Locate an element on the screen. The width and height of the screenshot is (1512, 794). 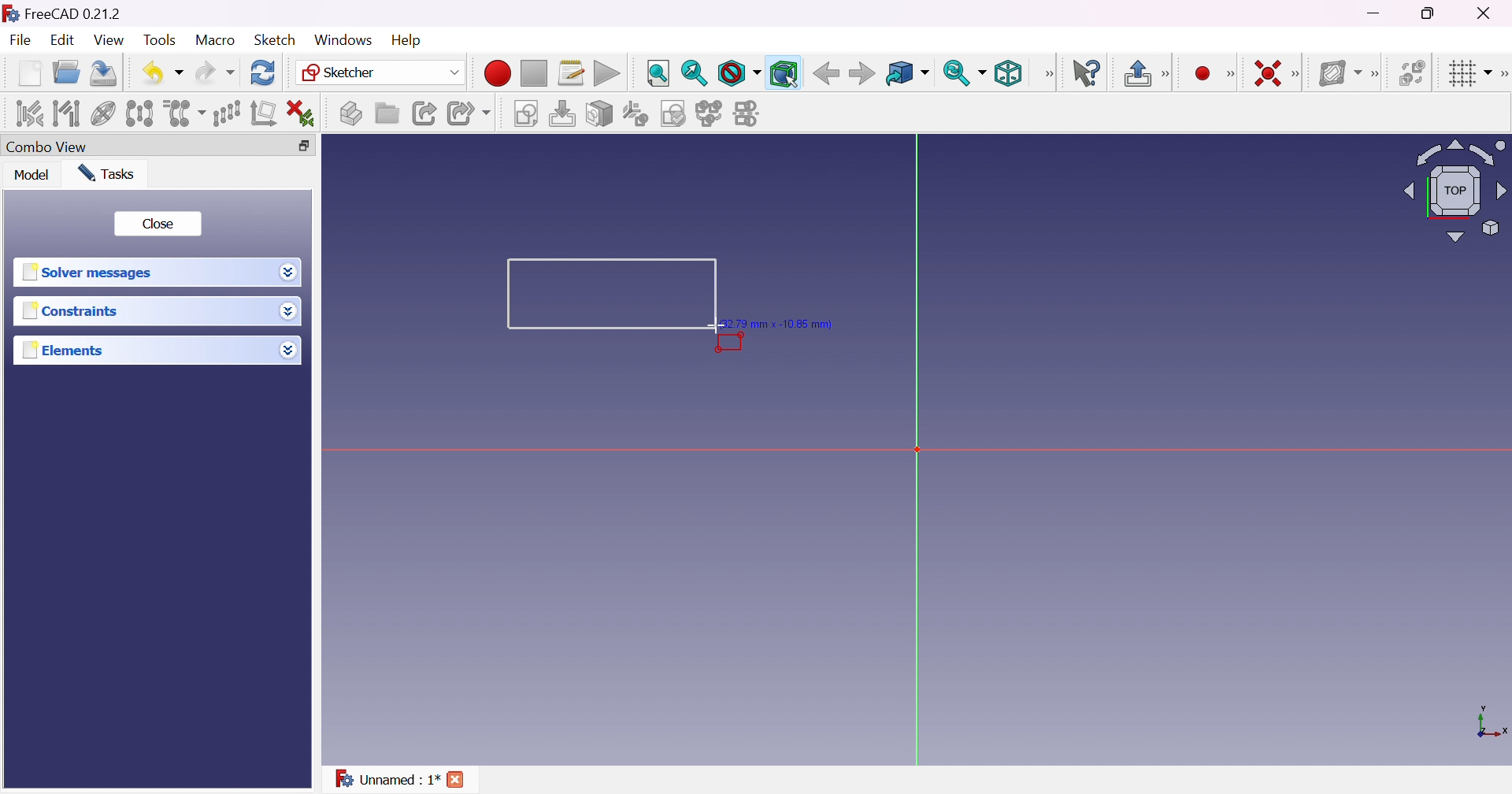
FreeCAD 0.21.2 is located at coordinates (72, 13).